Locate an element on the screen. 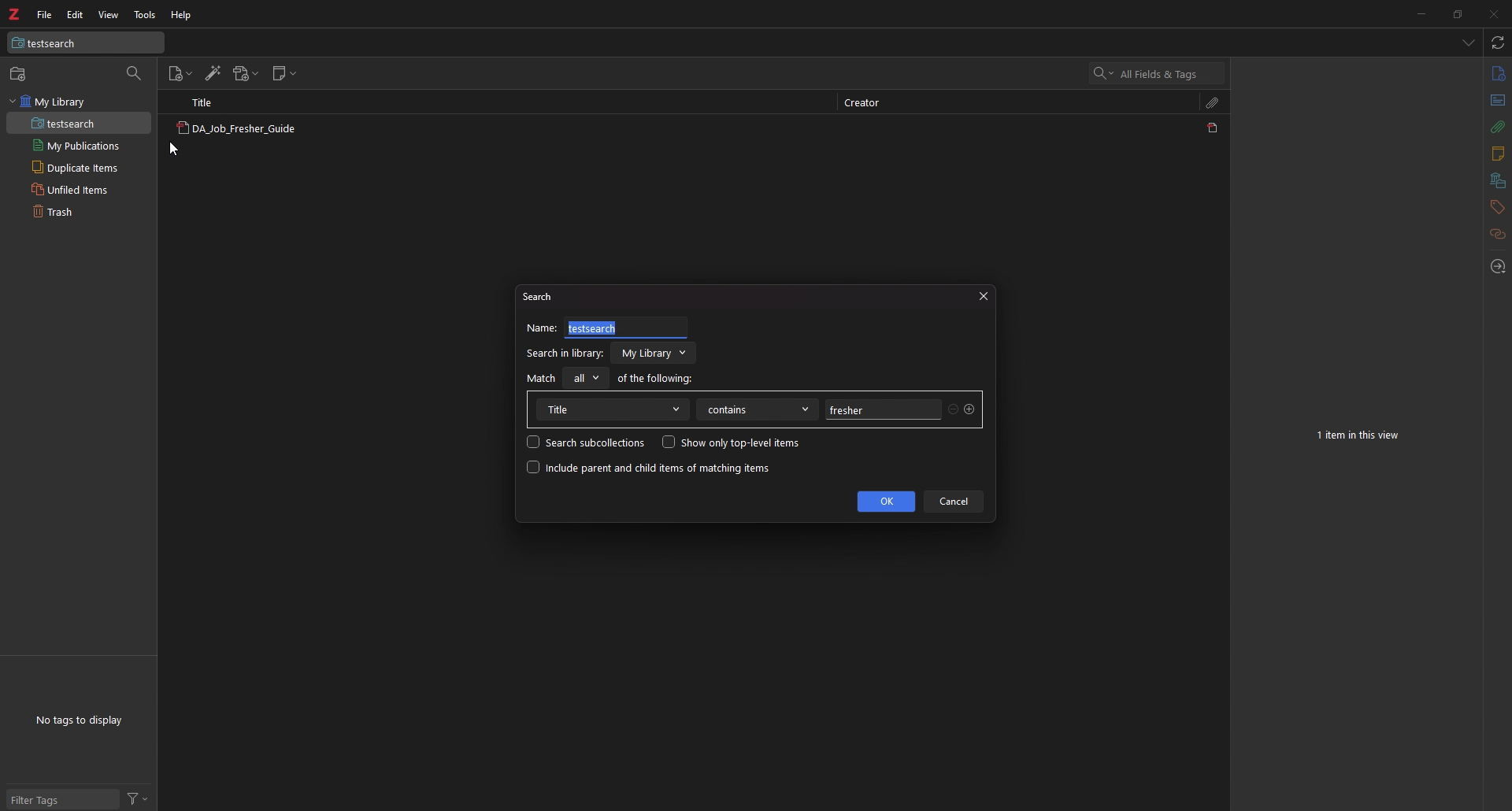 This screenshot has width=1512, height=811. view is located at coordinates (108, 15).